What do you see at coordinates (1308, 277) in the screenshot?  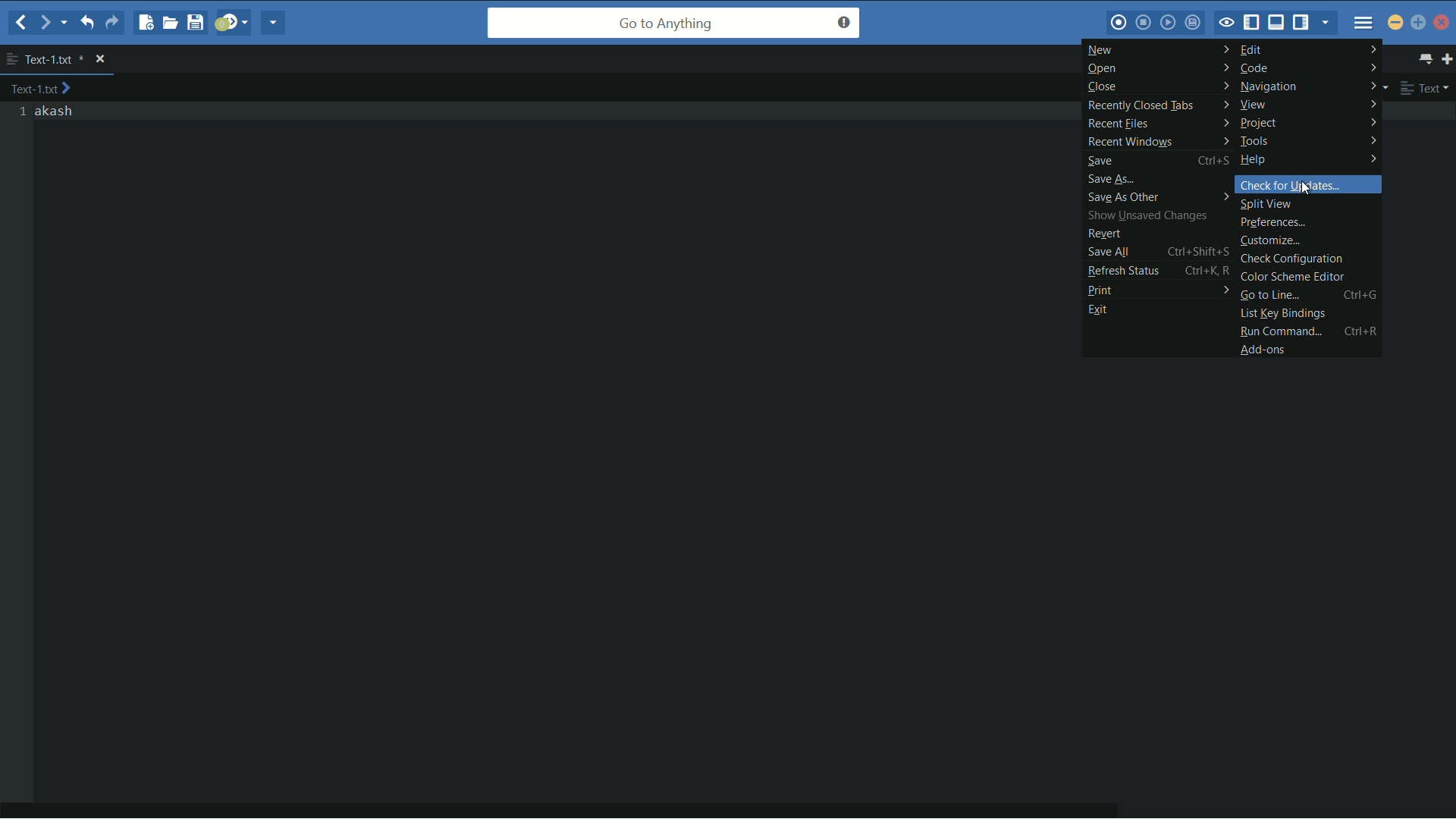 I see `color scheme editor` at bounding box center [1308, 277].